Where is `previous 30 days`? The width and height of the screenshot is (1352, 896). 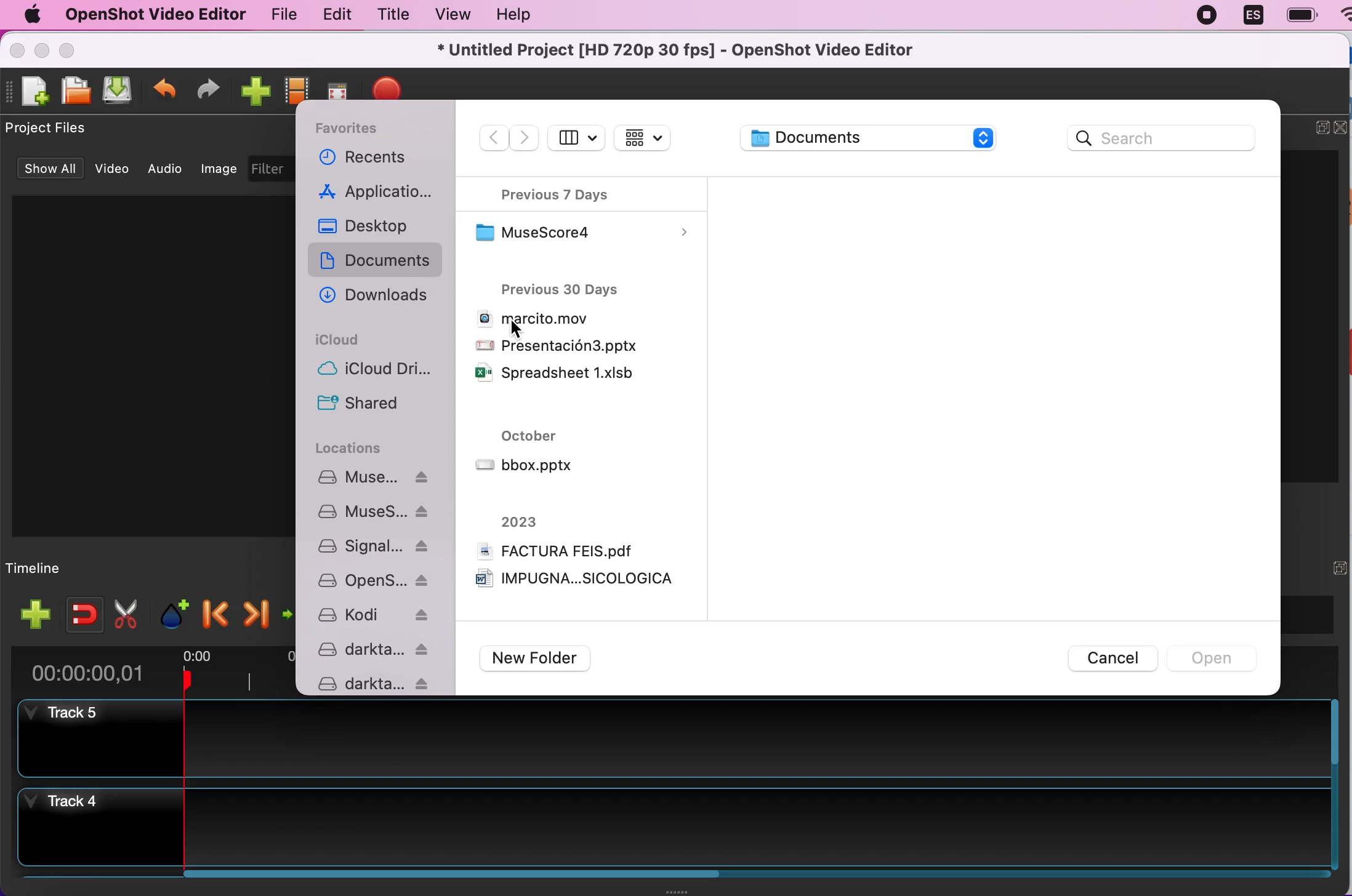
previous 30 days is located at coordinates (580, 287).